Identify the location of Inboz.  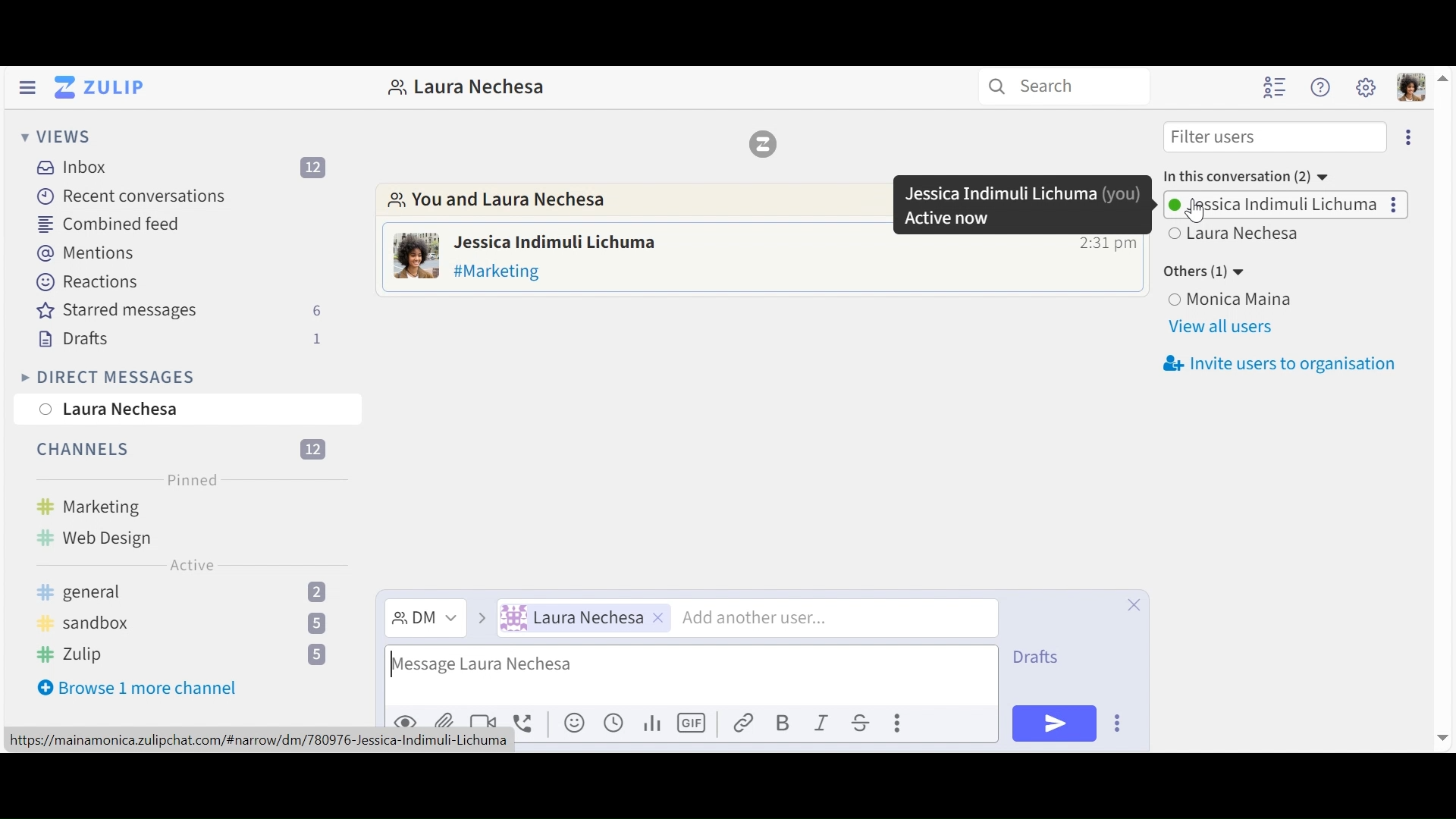
(183, 169).